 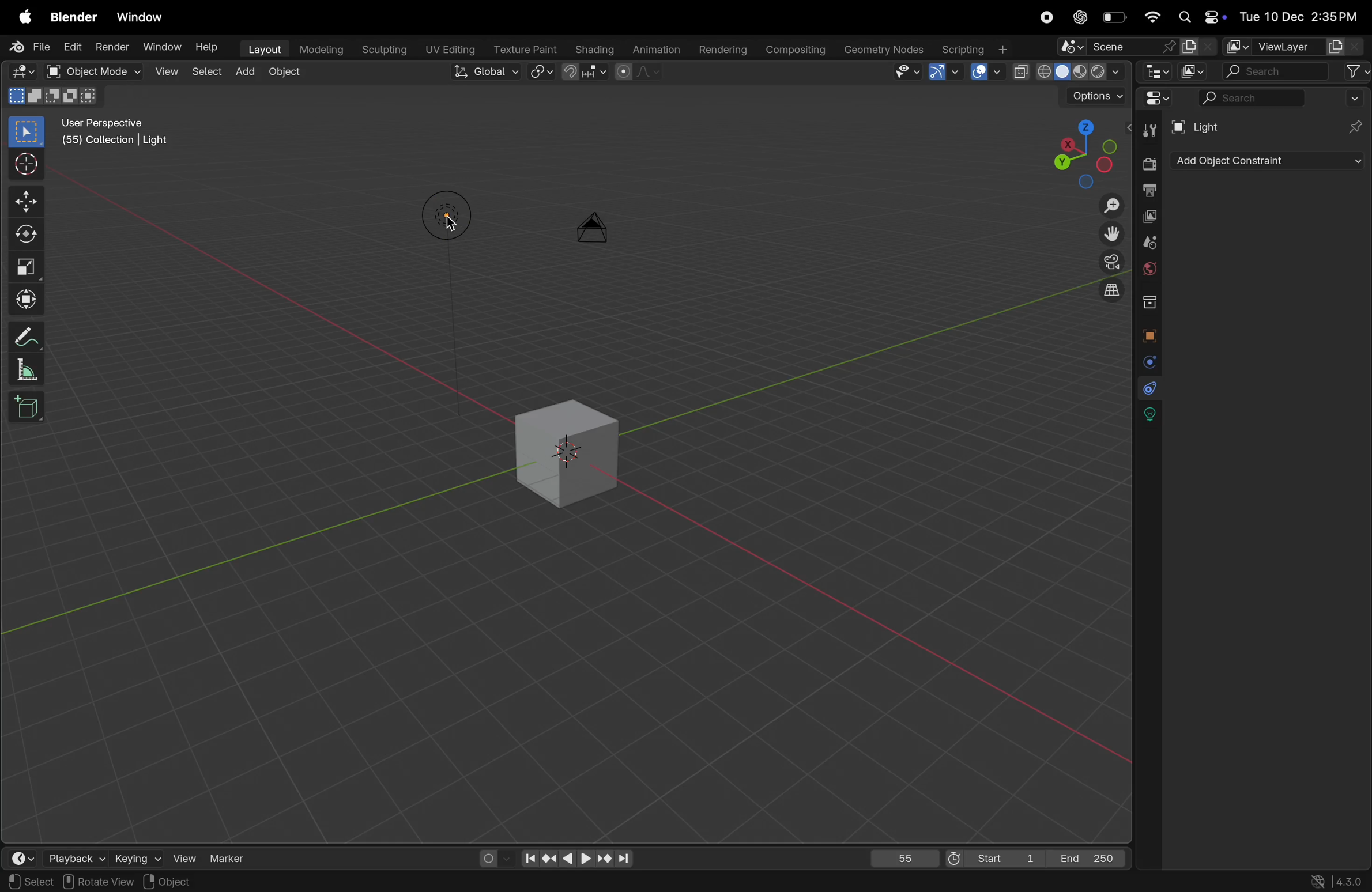 What do you see at coordinates (1156, 101) in the screenshot?
I see `Editor mode` at bounding box center [1156, 101].